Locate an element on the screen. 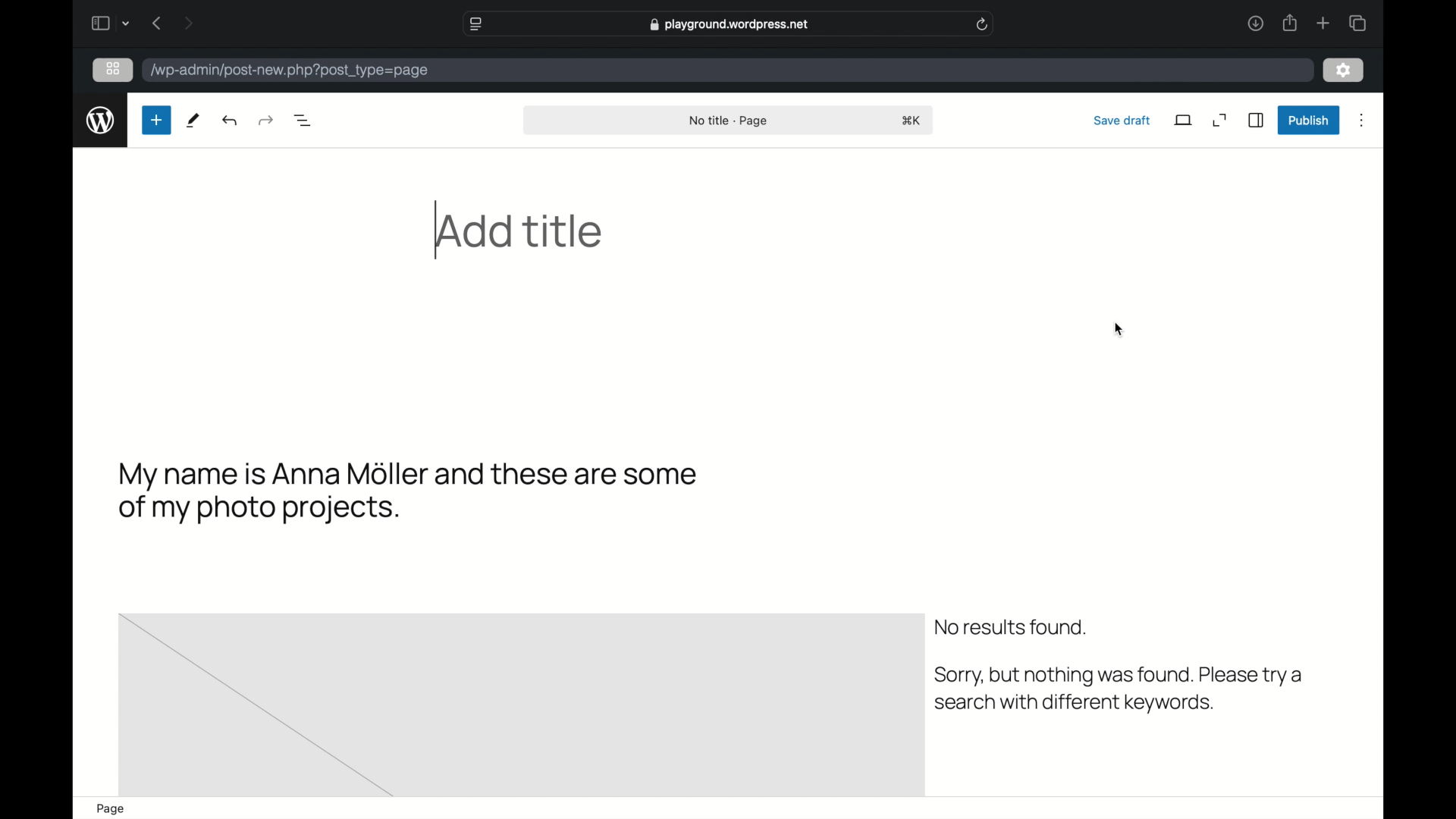  template content is located at coordinates (409, 492).